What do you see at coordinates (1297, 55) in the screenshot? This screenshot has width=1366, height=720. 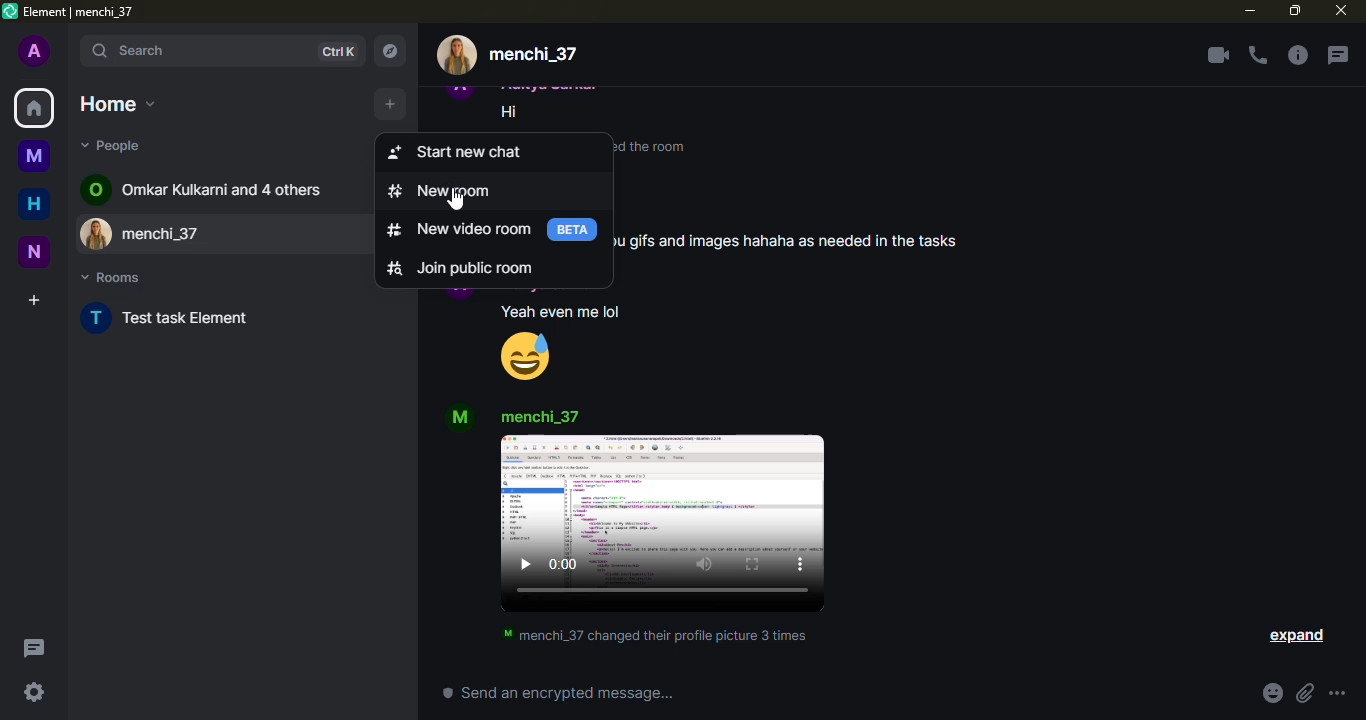 I see `info` at bounding box center [1297, 55].